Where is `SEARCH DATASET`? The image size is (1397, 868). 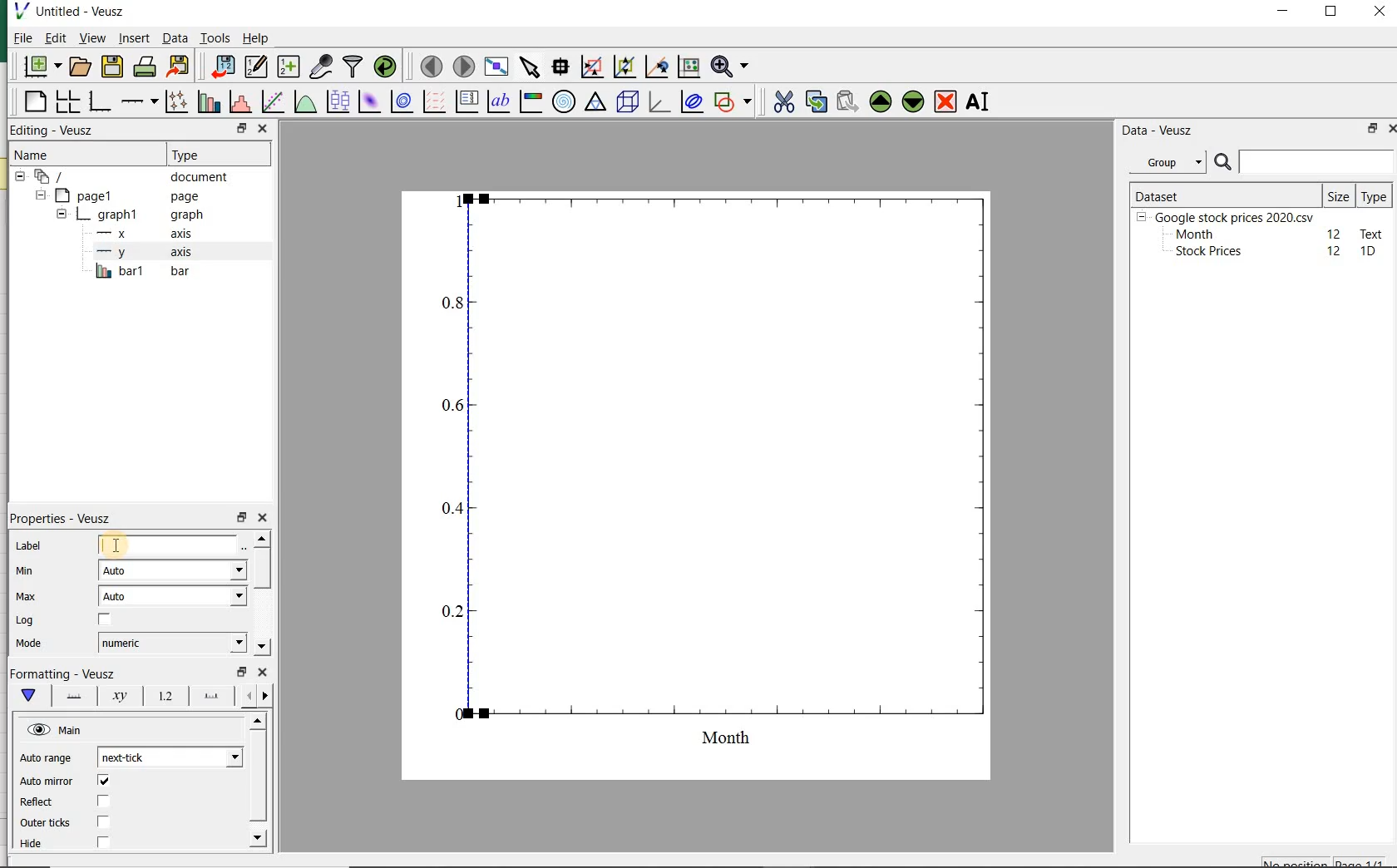 SEARCH DATASET is located at coordinates (1304, 161).